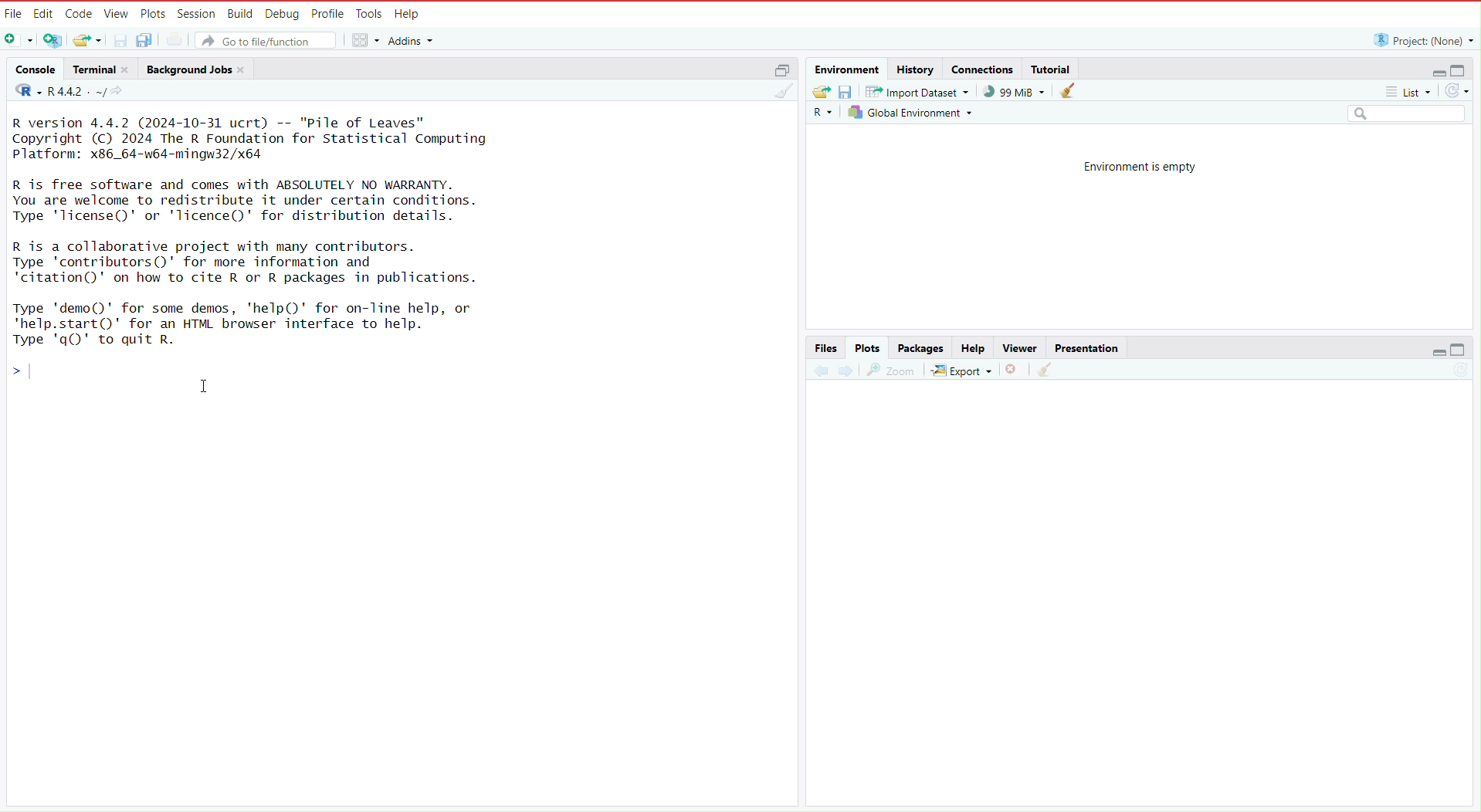 This screenshot has height=812, width=1481. Describe the element at coordinates (915, 69) in the screenshot. I see `history` at that location.